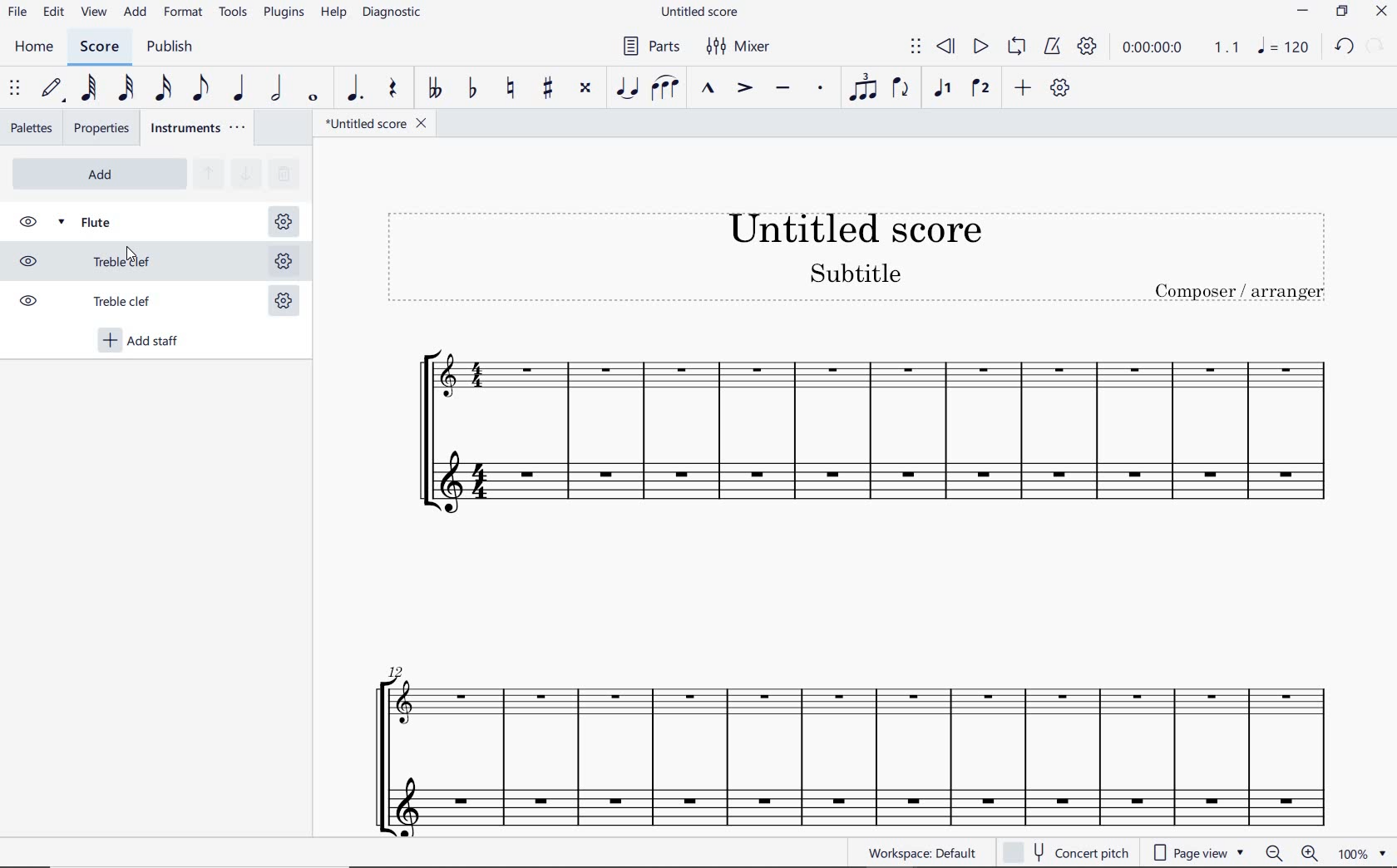 This screenshot has width=1397, height=868. Describe the element at coordinates (104, 220) in the screenshot. I see `FLUTE` at that location.